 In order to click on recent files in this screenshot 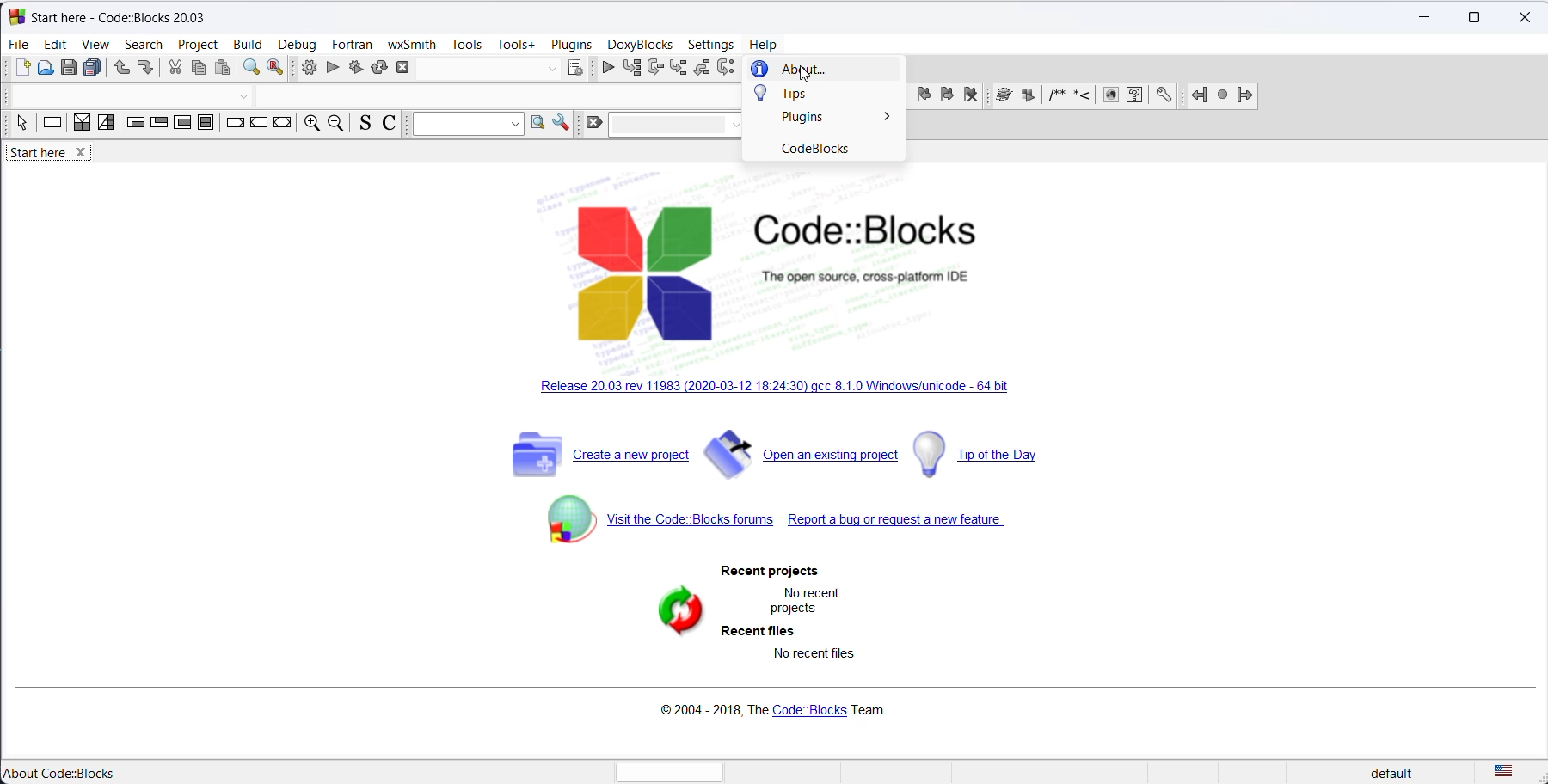, I will do `click(758, 632)`.